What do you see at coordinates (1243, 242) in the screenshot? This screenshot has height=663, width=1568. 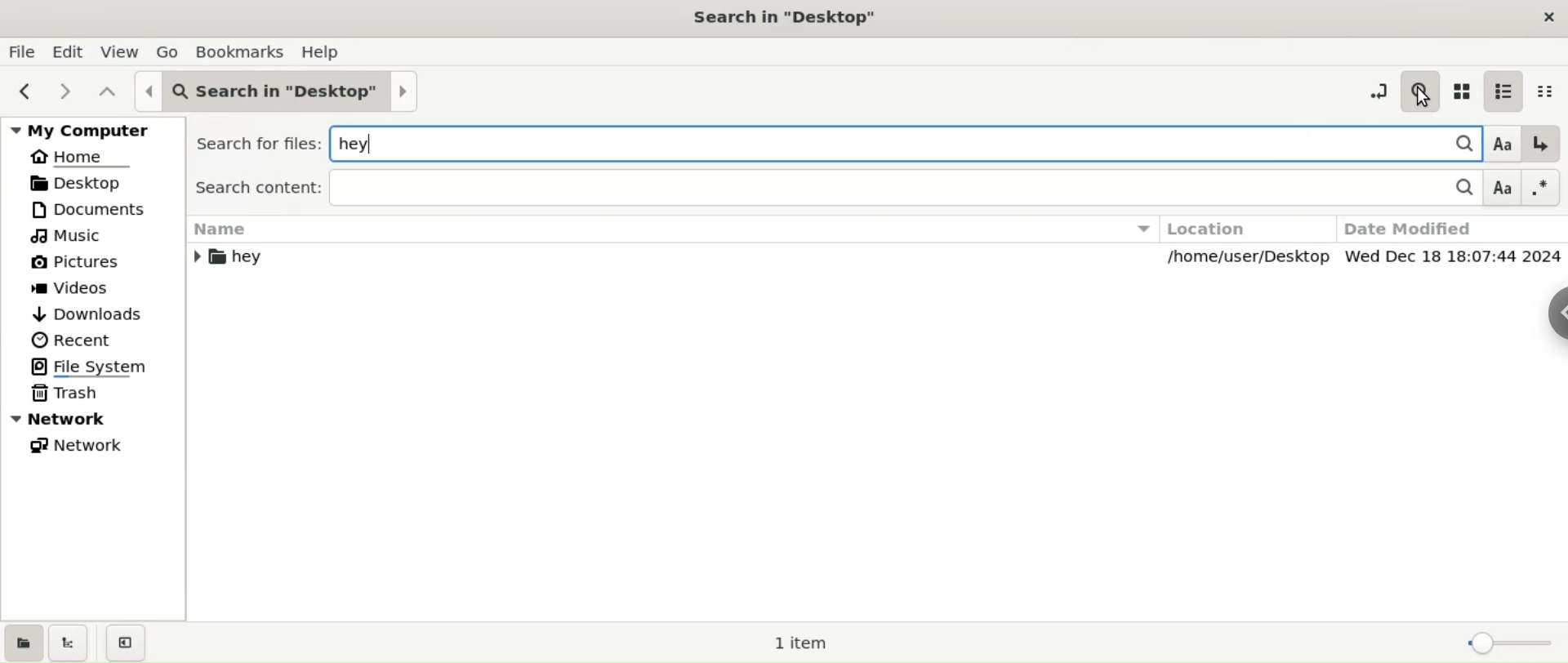 I see `Location
/home/user/Desktop` at bounding box center [1243, 242].